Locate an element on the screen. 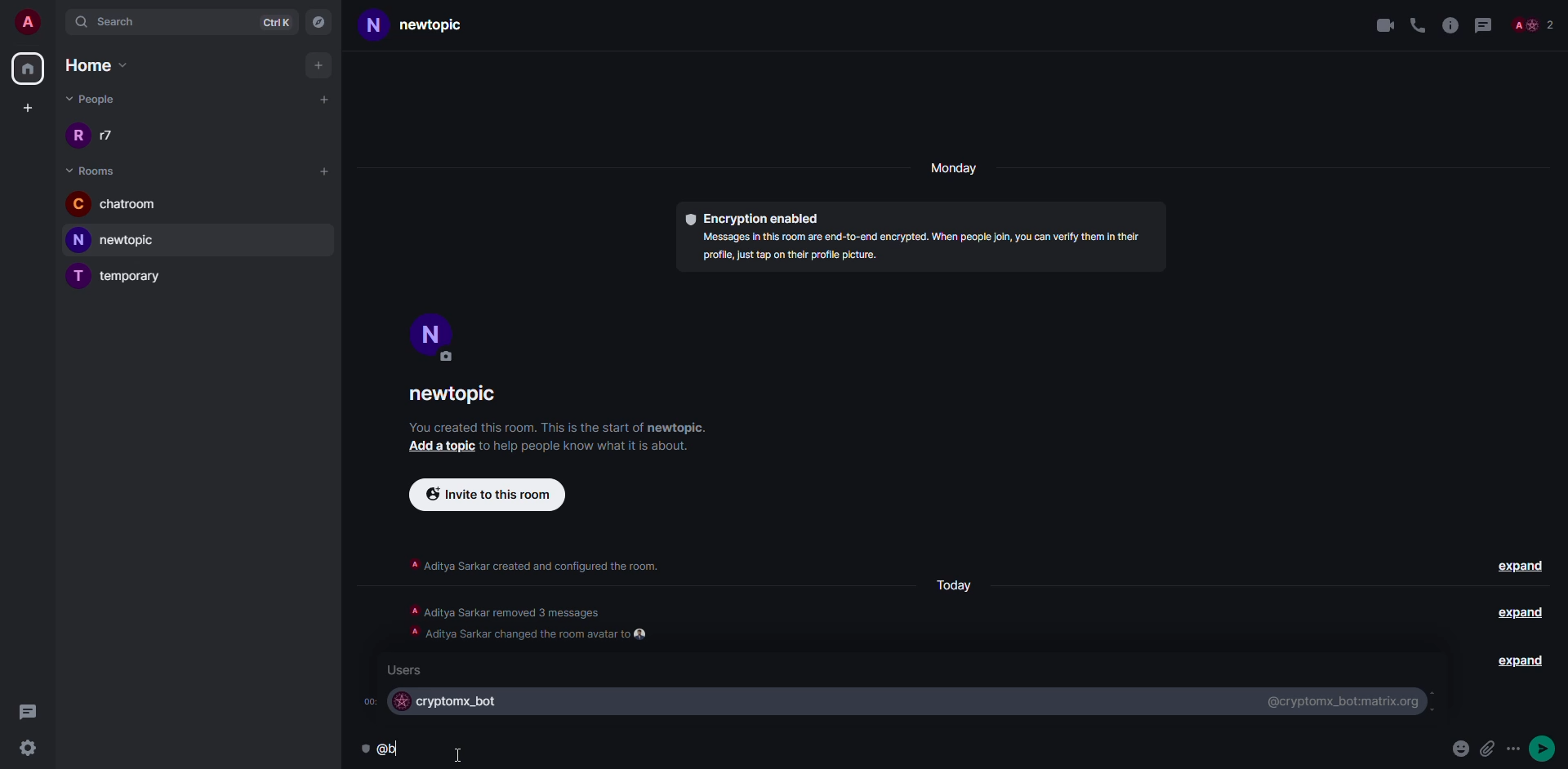 Image resolution: width=1568 pixels, height=769 pixels. home is located at coordinates (106, 65).